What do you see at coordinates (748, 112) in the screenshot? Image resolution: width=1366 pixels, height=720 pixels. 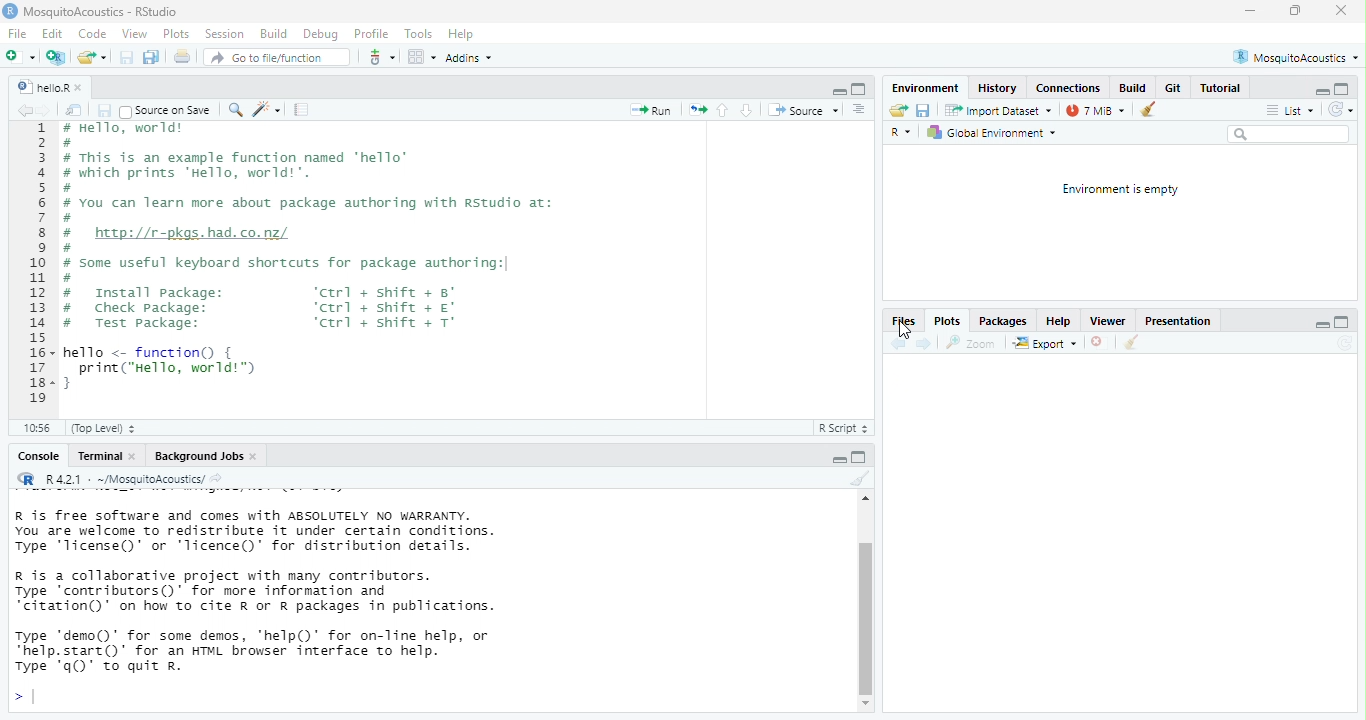 I see `go to next section/chunk` at bounding box center [748, 112].